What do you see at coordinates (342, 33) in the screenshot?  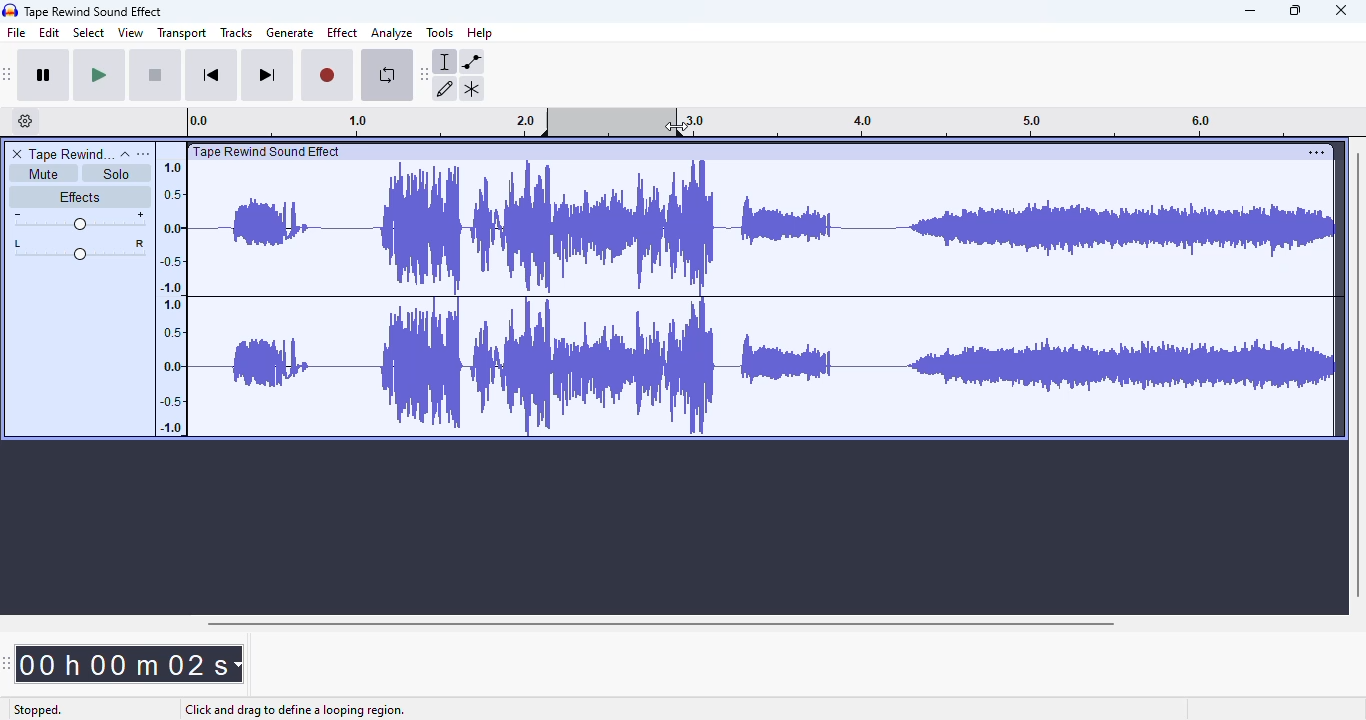 I see `effect` at bounding box center [342, 33].